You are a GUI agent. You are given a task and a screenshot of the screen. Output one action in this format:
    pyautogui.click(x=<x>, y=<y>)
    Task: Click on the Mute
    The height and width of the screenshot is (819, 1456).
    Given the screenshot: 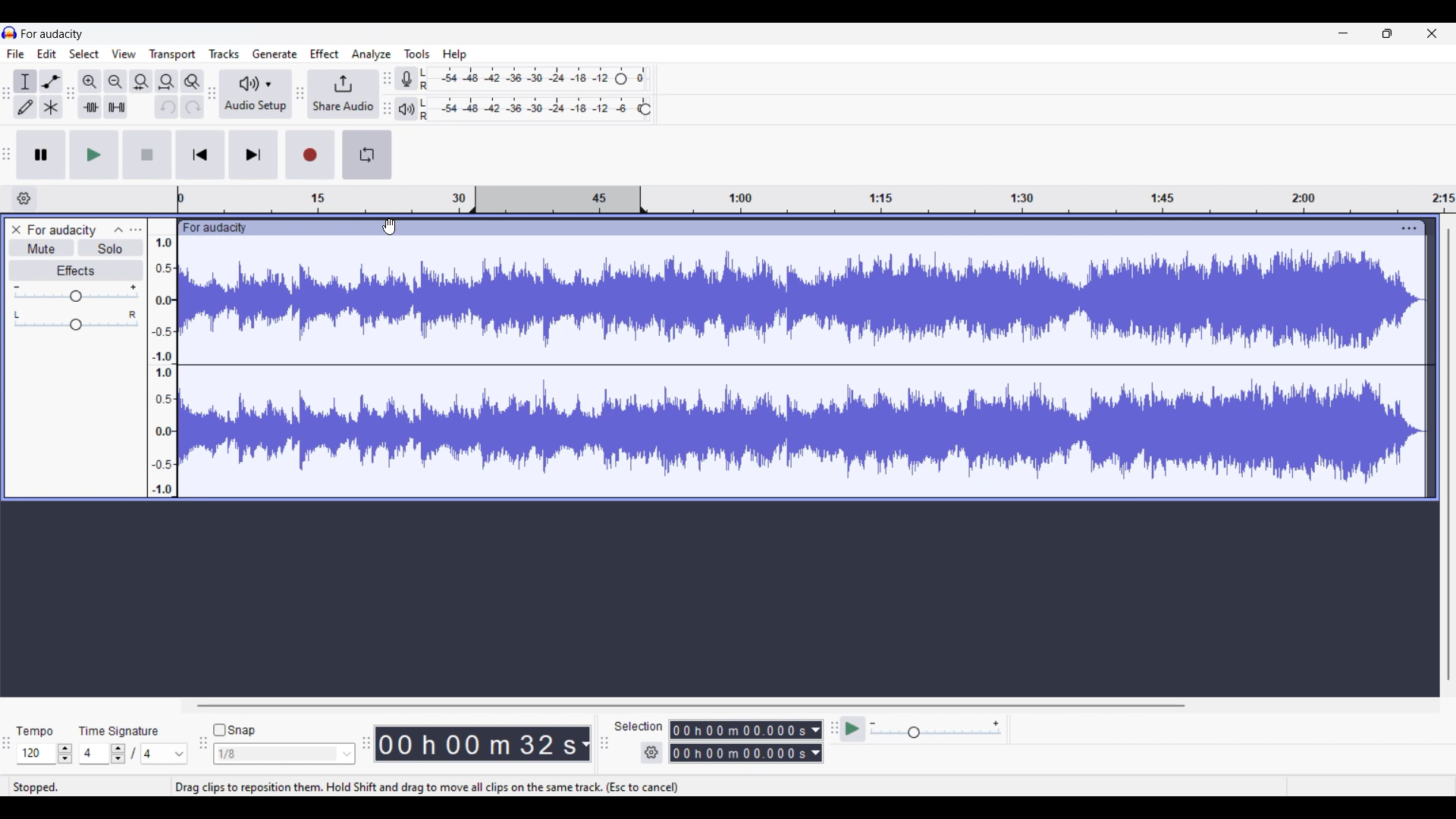 What is the action you would take?
    pyautogui.click(x=42, y=249)
    